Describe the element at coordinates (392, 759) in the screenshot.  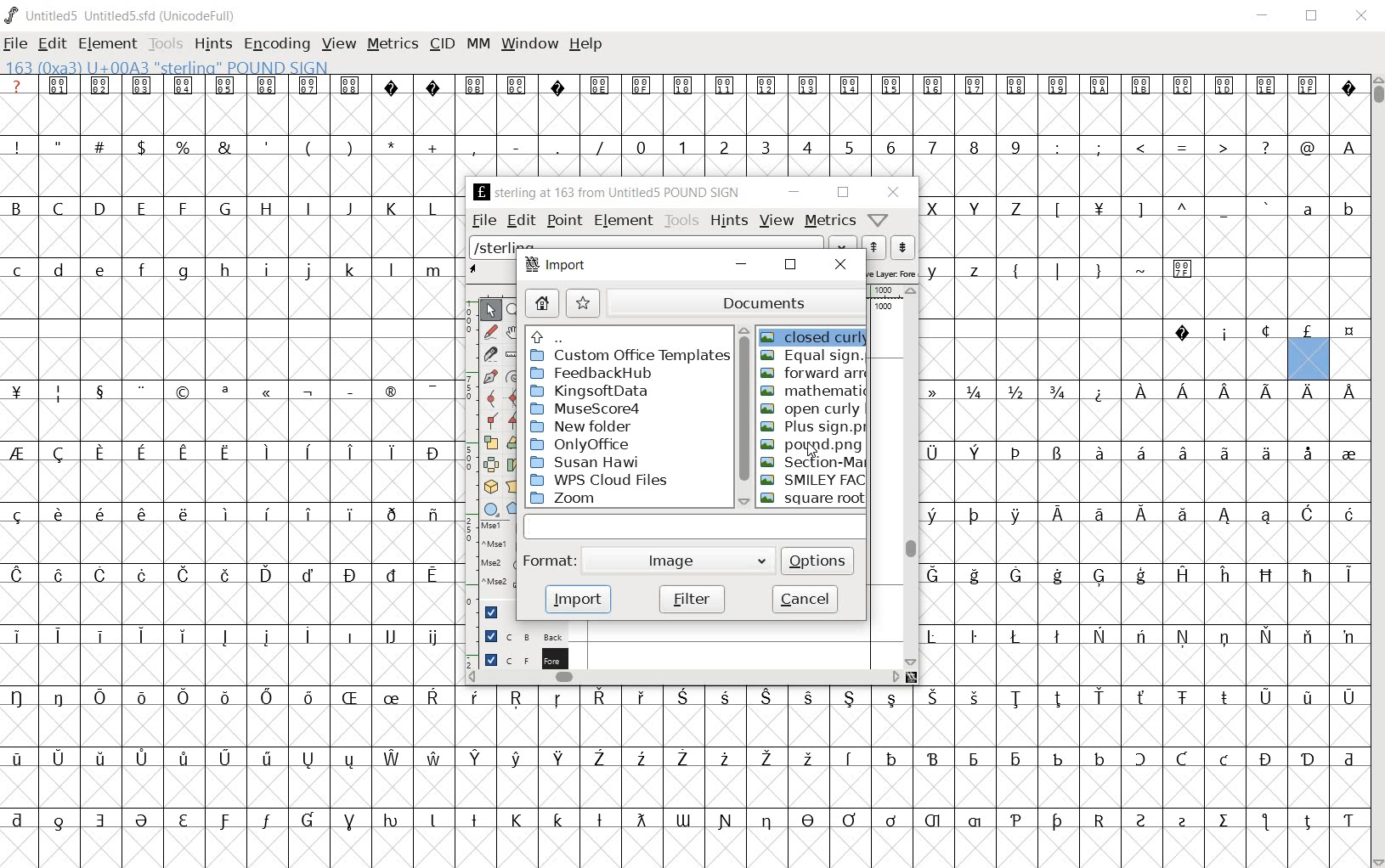
I see `Symbol` at that location.